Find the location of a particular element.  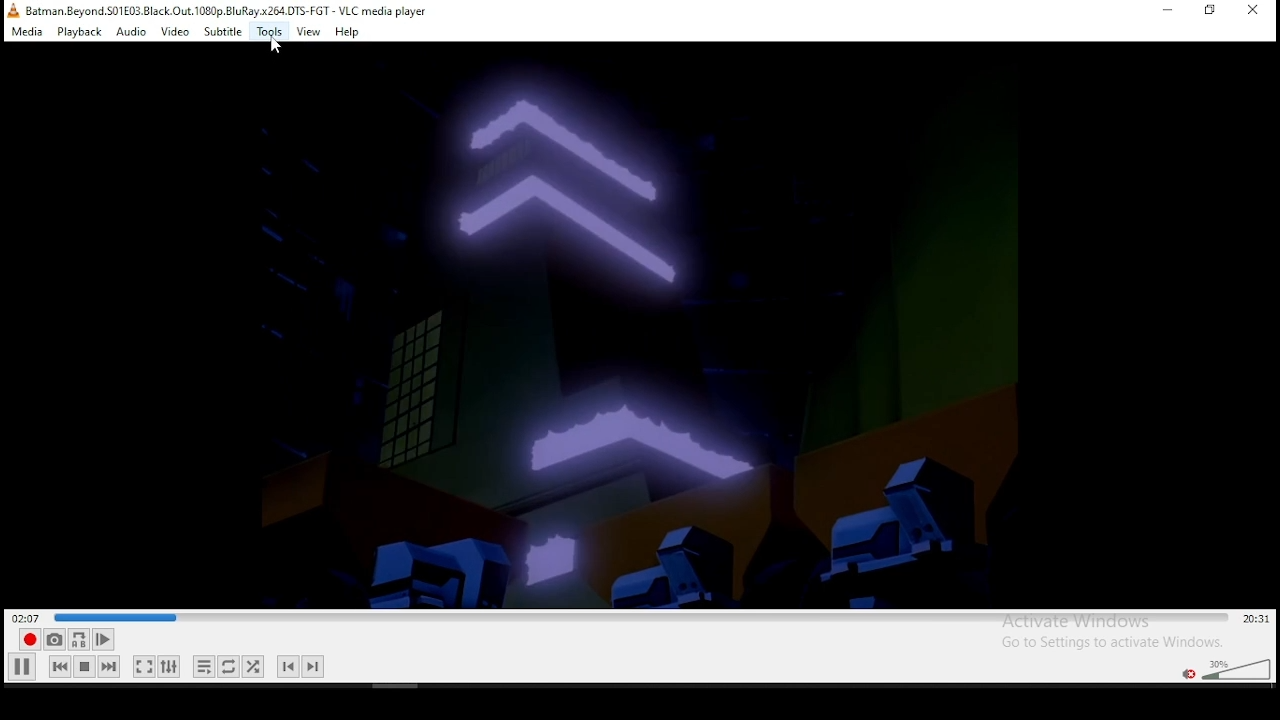

next chapter is located at coordinates (313, 667).